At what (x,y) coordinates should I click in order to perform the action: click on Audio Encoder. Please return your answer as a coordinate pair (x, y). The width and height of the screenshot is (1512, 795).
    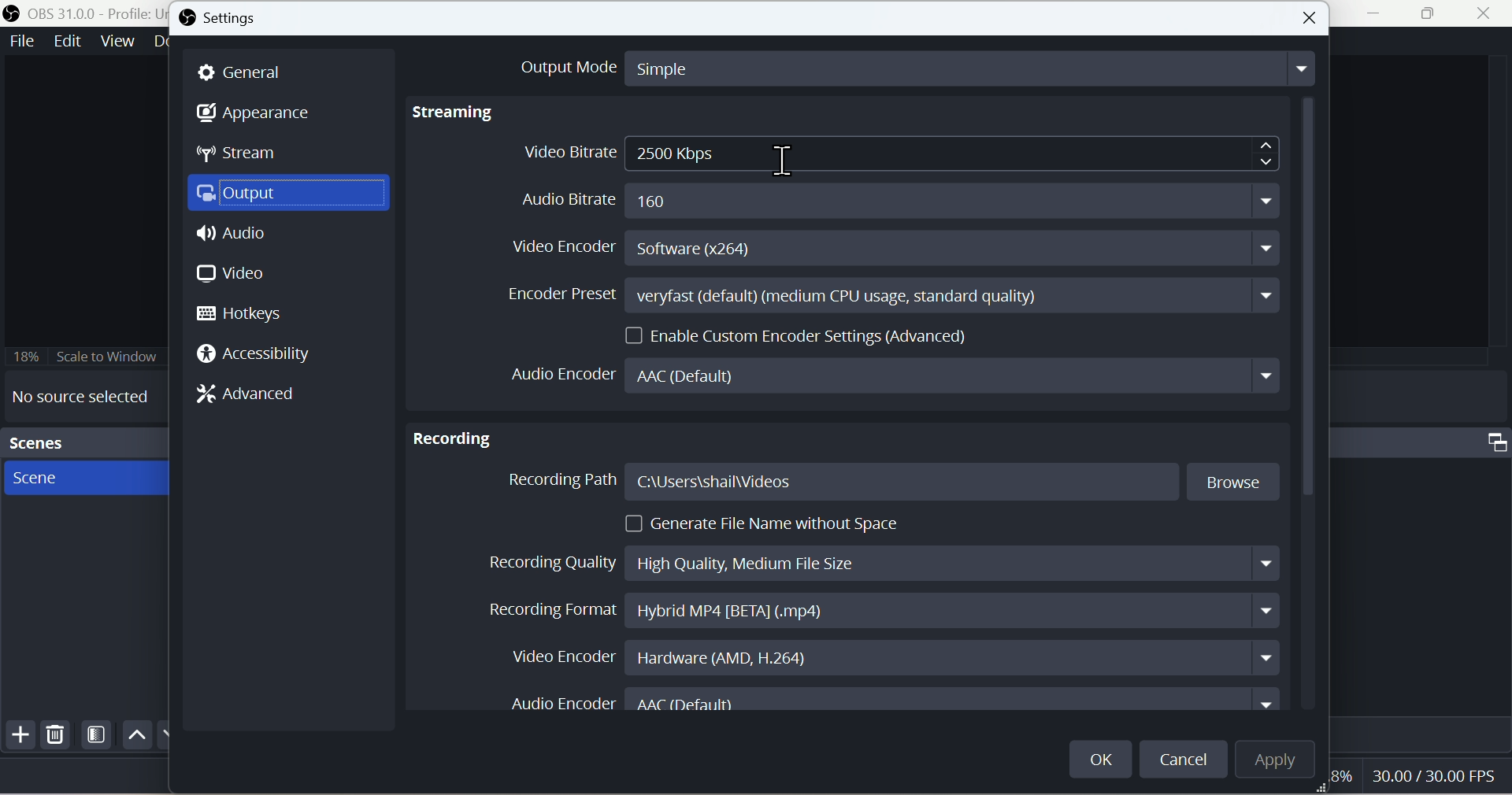
    Looking at the image, I should click on (892, 375).